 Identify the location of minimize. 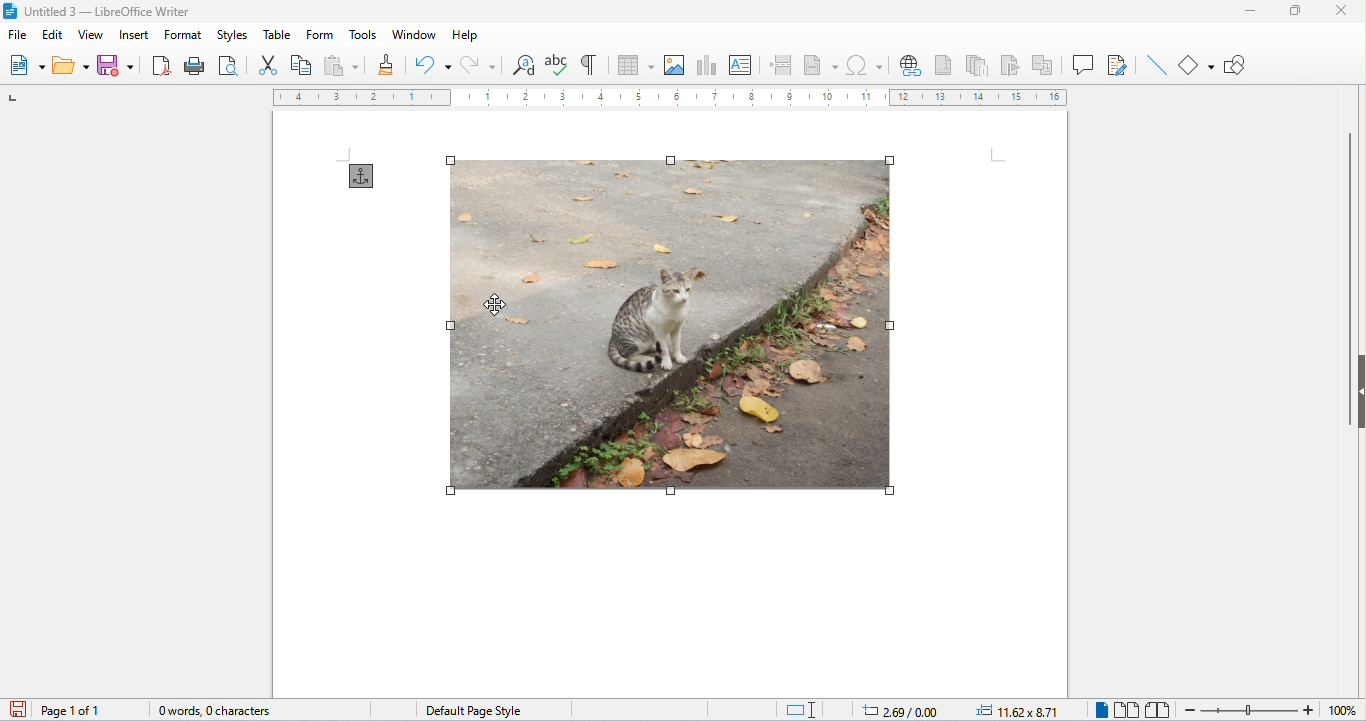
(1247, 14).